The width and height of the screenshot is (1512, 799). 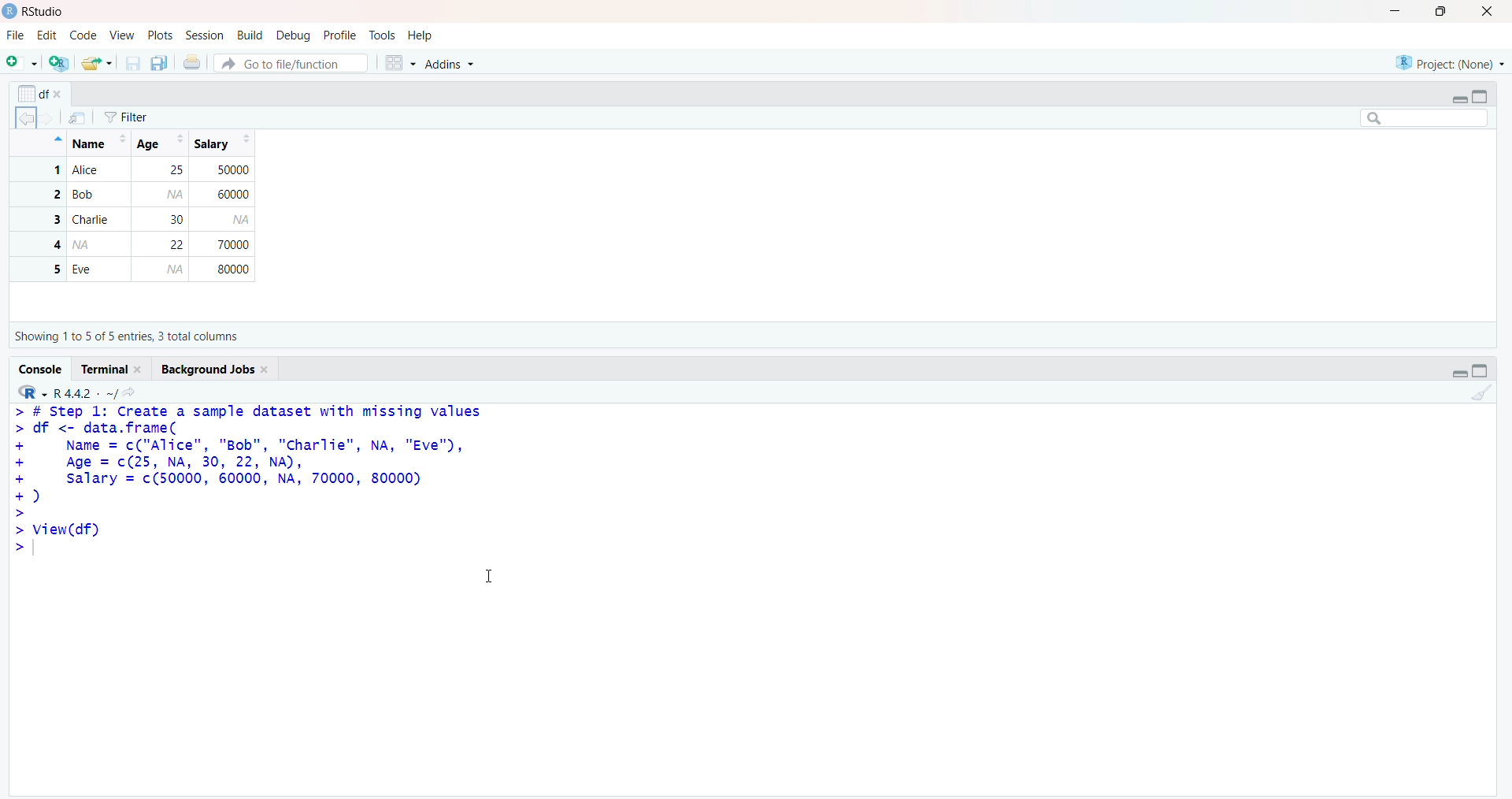 I want to click on Background Jobs, so click(x=213, y=370).